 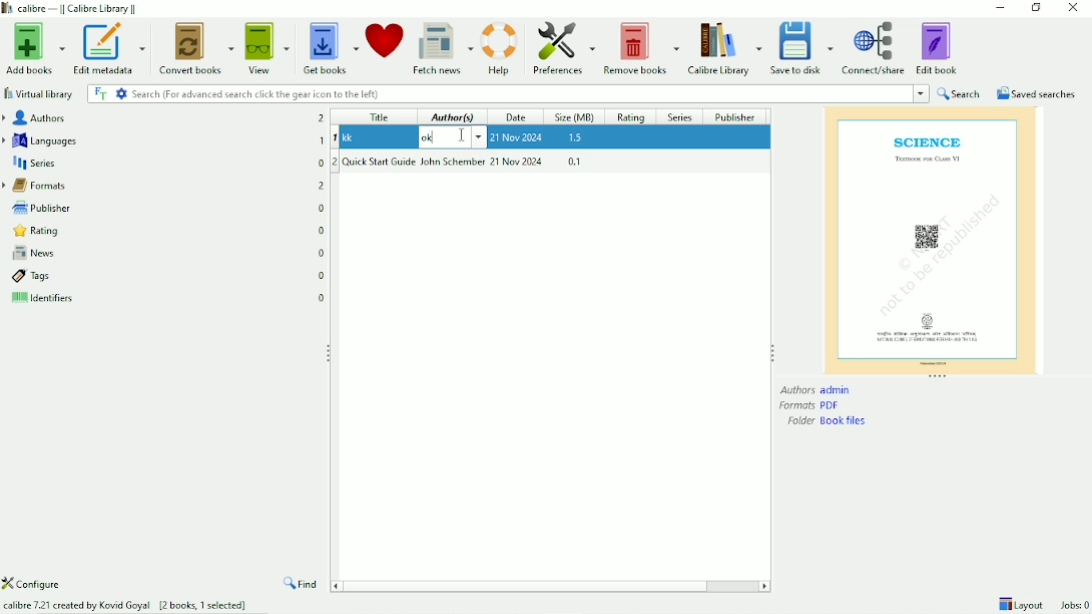 What do you see at coordinates (774, 353) in the screenshot?
I see `Resize` at bounding box center [774, 353].